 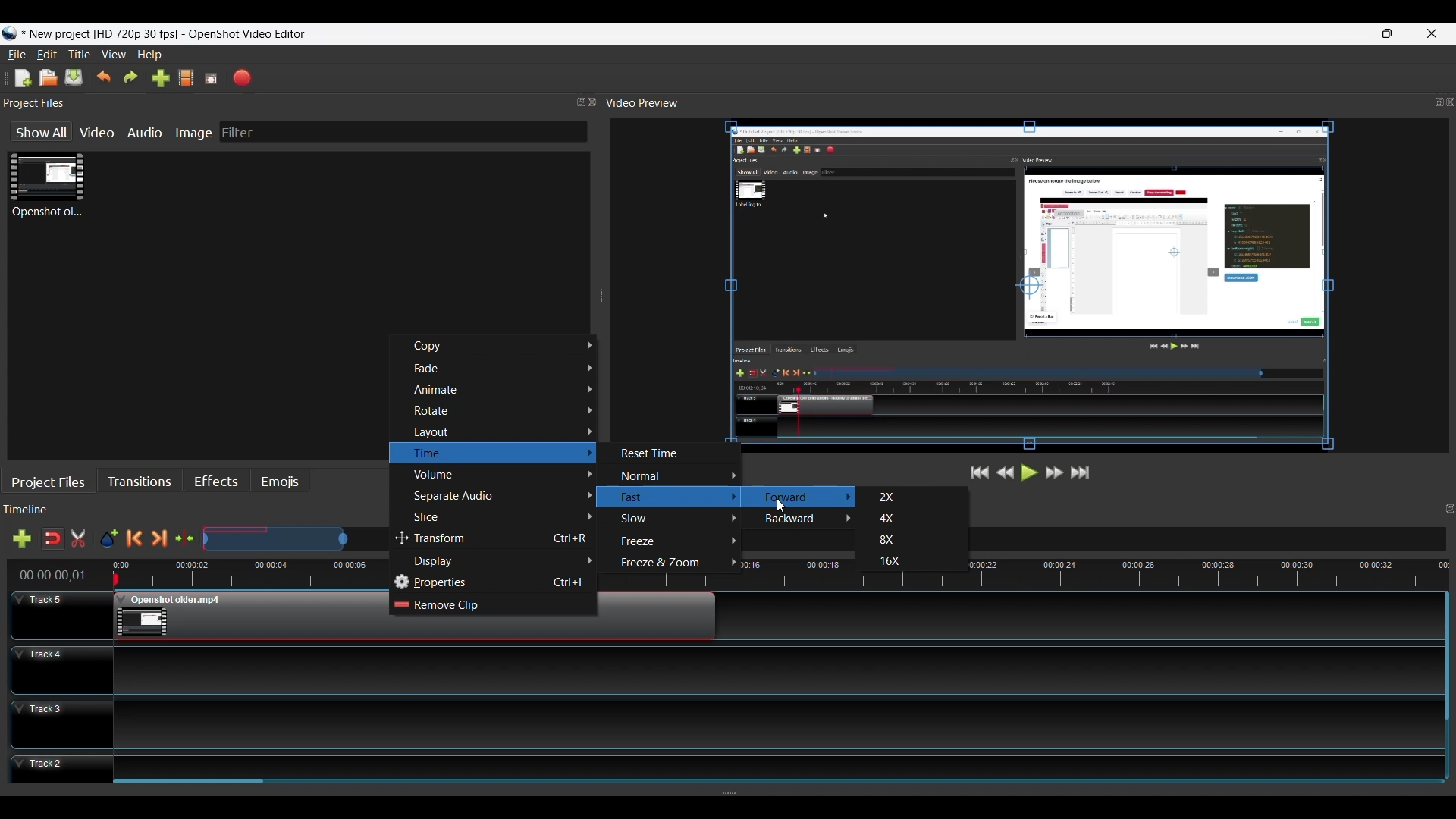 What do you see at coordinates (977, 472) in the screenshot?
I see `Jump to Start` at bounding box center [977, 472].